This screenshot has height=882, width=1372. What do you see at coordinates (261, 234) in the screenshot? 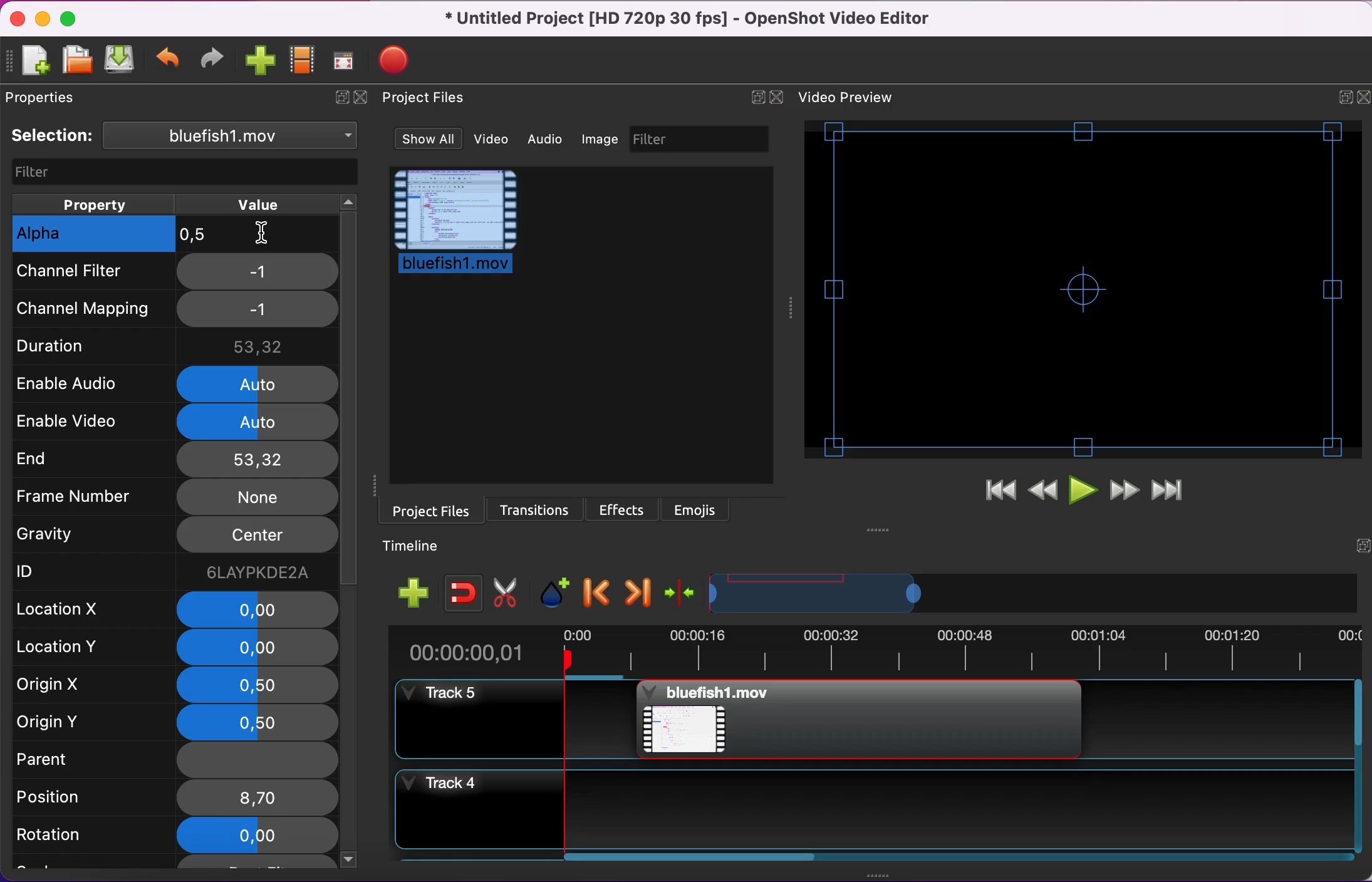
I see `Cursor` at bounding box center [261, 234].